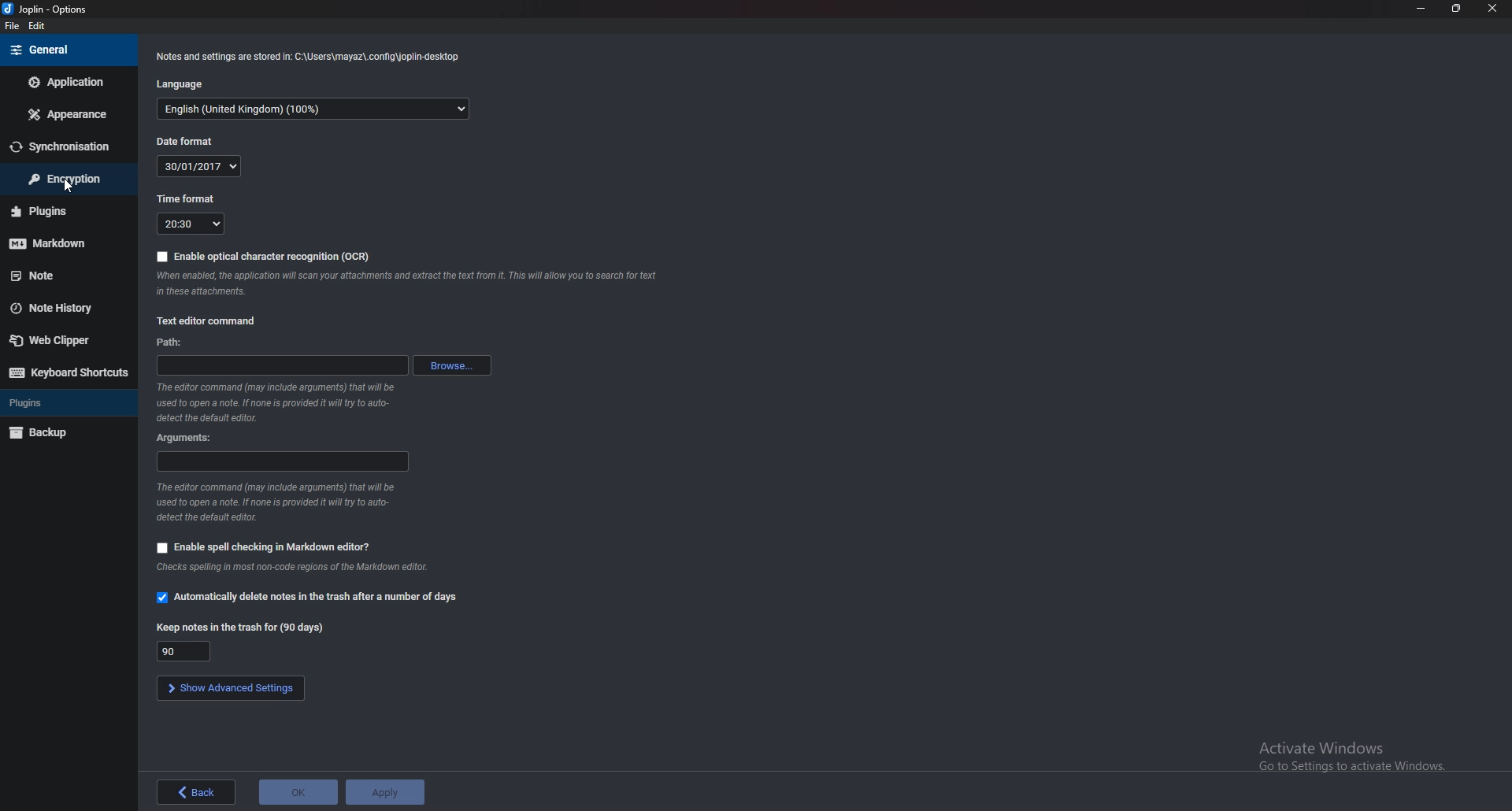 Image resolution: width=1512 pixels, height=811 pixels. What do you see at coordinates (188, 142) in the screenshot?
I see `date format` at bounding box center [188, 142].